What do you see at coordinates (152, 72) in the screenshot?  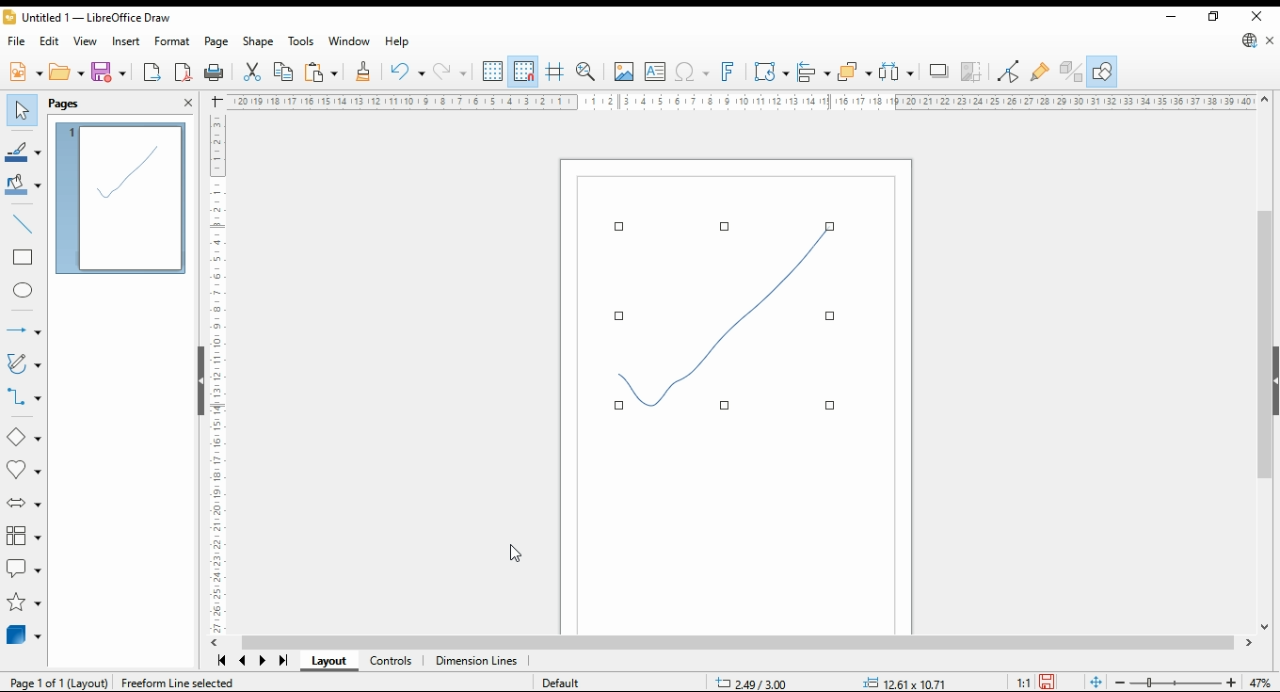 I see `export` at bounding box center [152, 72].